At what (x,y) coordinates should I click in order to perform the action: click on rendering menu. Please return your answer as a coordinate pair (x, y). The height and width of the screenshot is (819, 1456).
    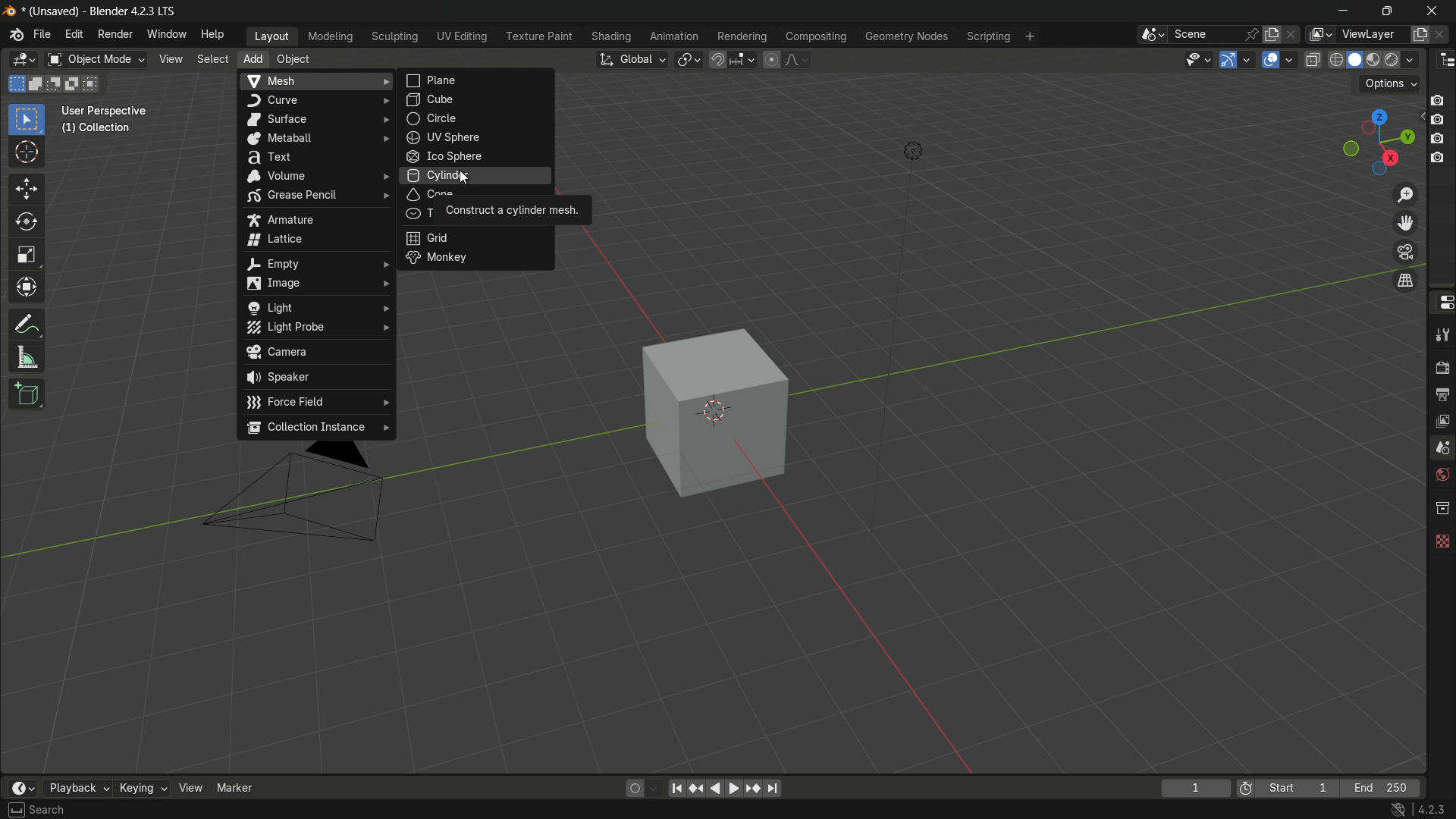
    Looking at the image, I should click on (742, 37).